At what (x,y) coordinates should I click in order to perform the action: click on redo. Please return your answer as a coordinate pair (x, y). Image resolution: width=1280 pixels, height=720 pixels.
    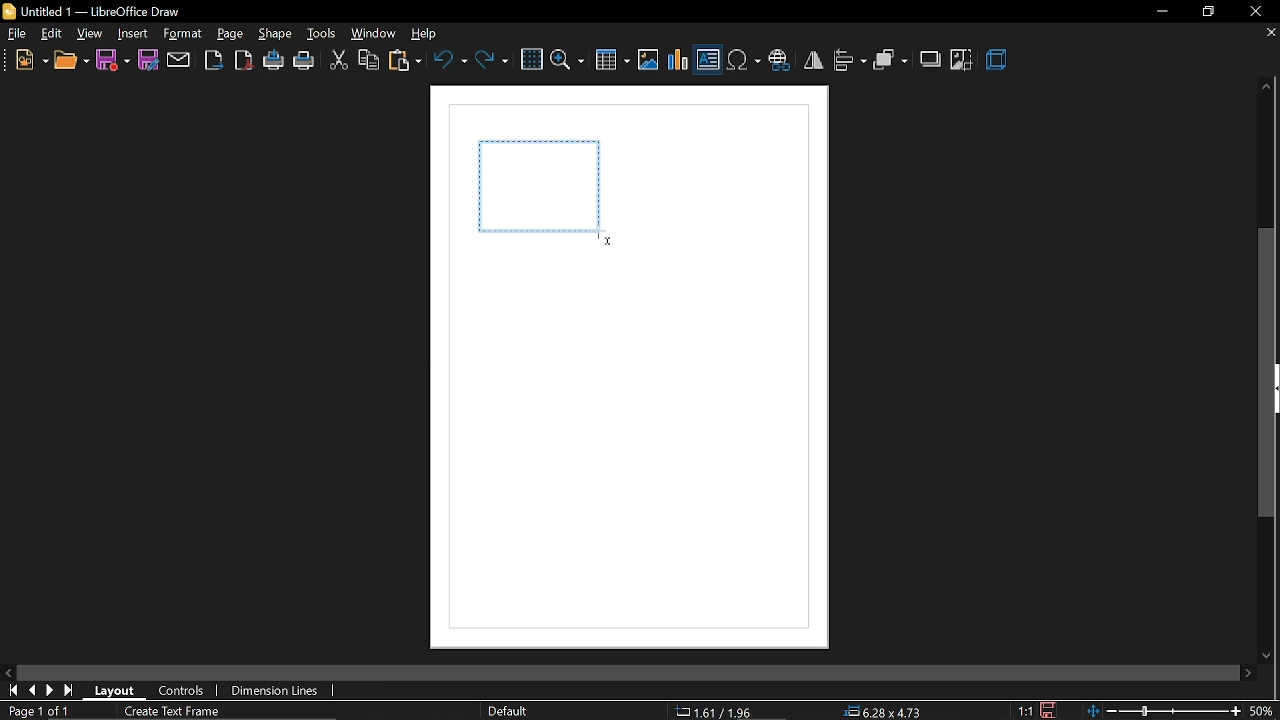
    Looking at the image, I should click on (492, 59).